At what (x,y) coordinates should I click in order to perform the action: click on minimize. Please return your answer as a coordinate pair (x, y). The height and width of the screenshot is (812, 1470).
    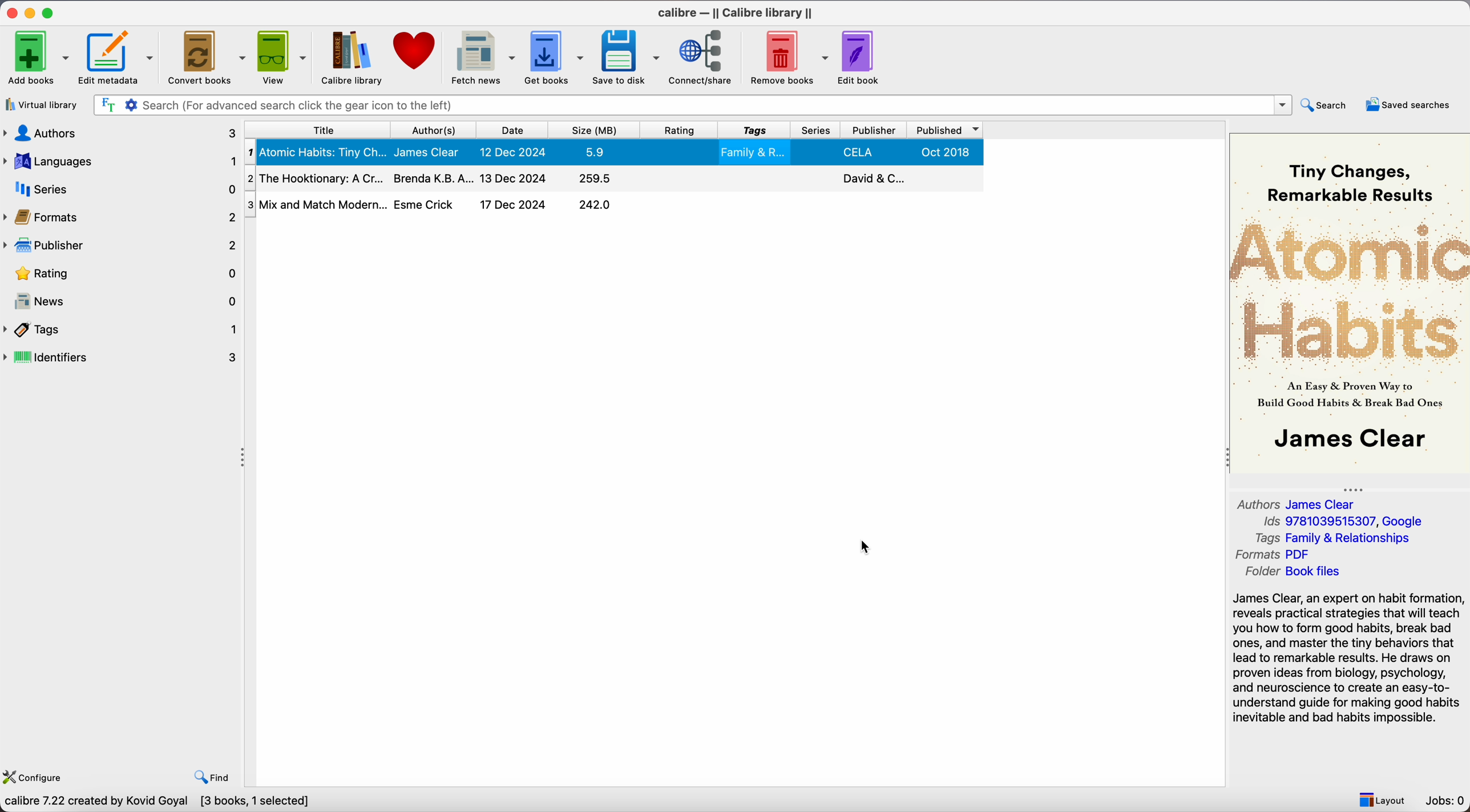
    Looking at the image, I should click on (32, 14).